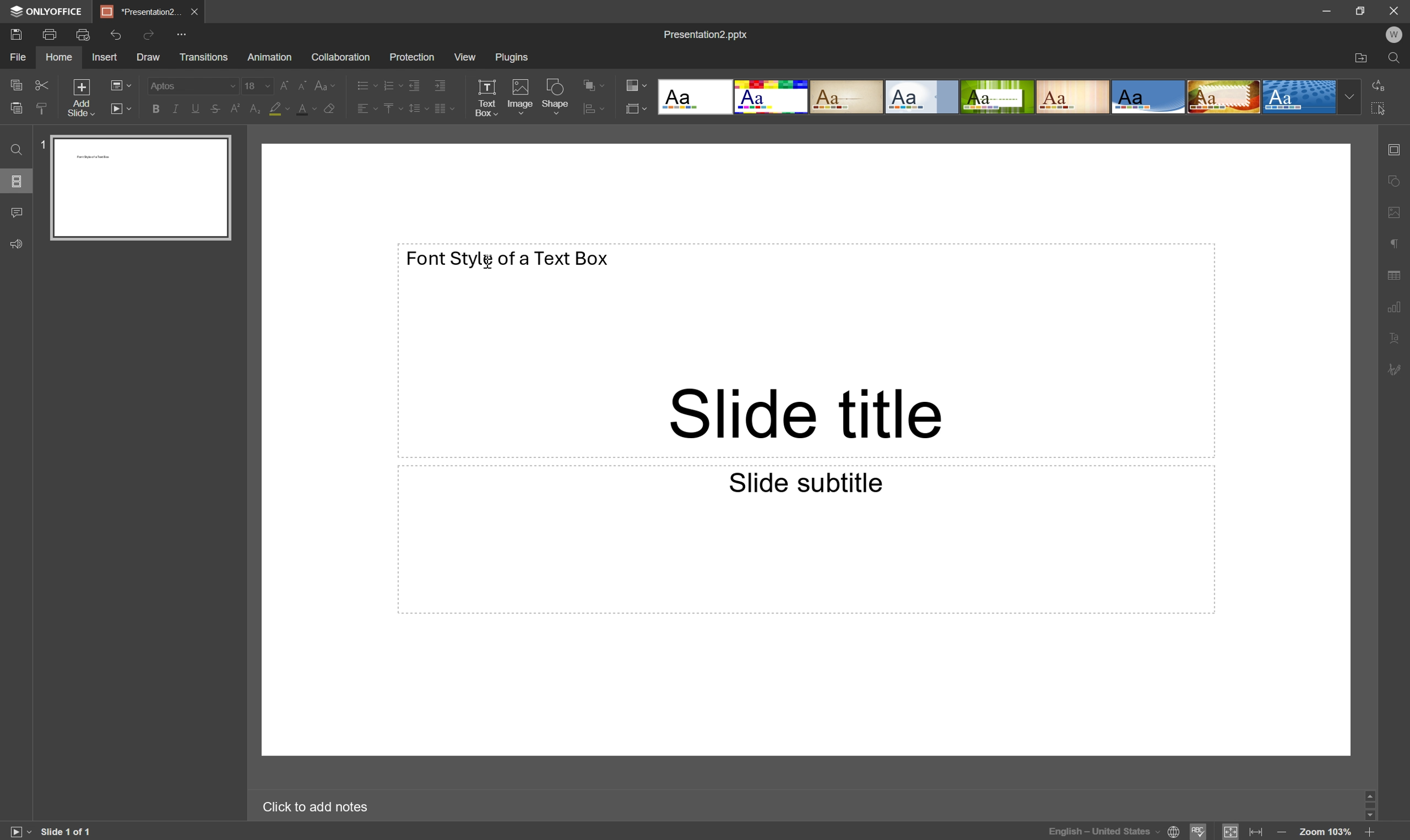  I want to click on Bold, so click(156, 110).